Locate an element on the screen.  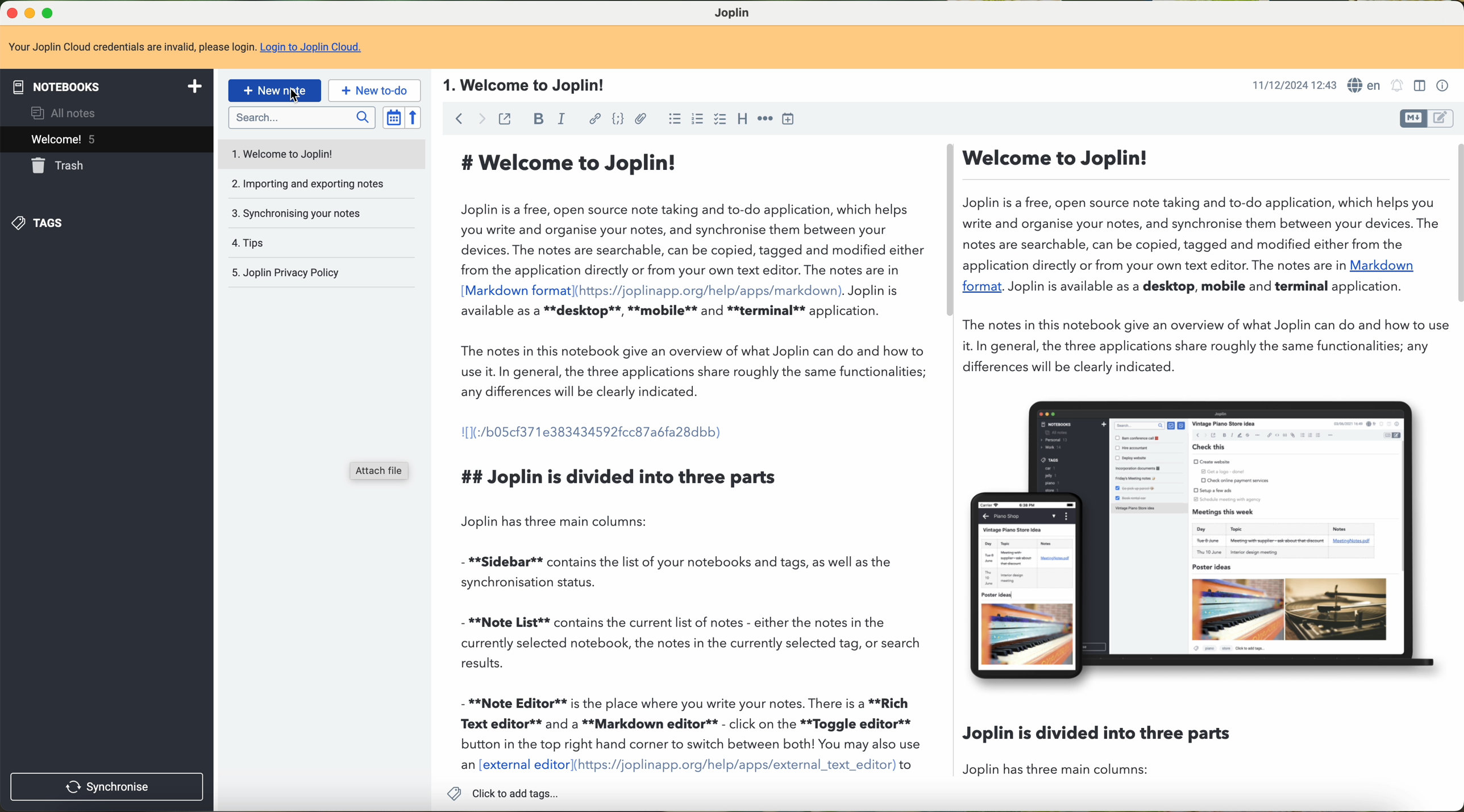
code is located at coordinates (617, 120).